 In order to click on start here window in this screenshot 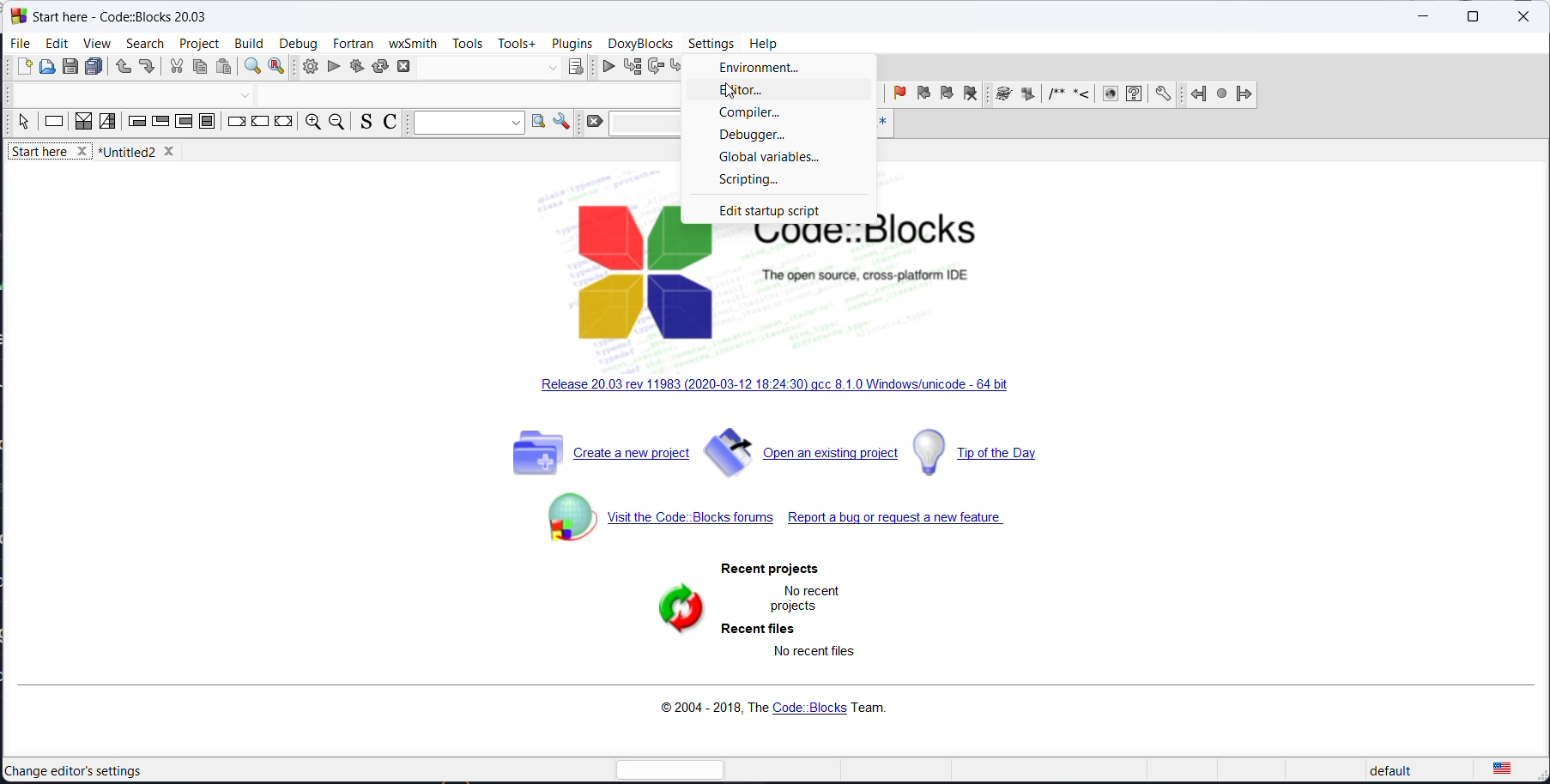, I will do `click(117, 15)`.